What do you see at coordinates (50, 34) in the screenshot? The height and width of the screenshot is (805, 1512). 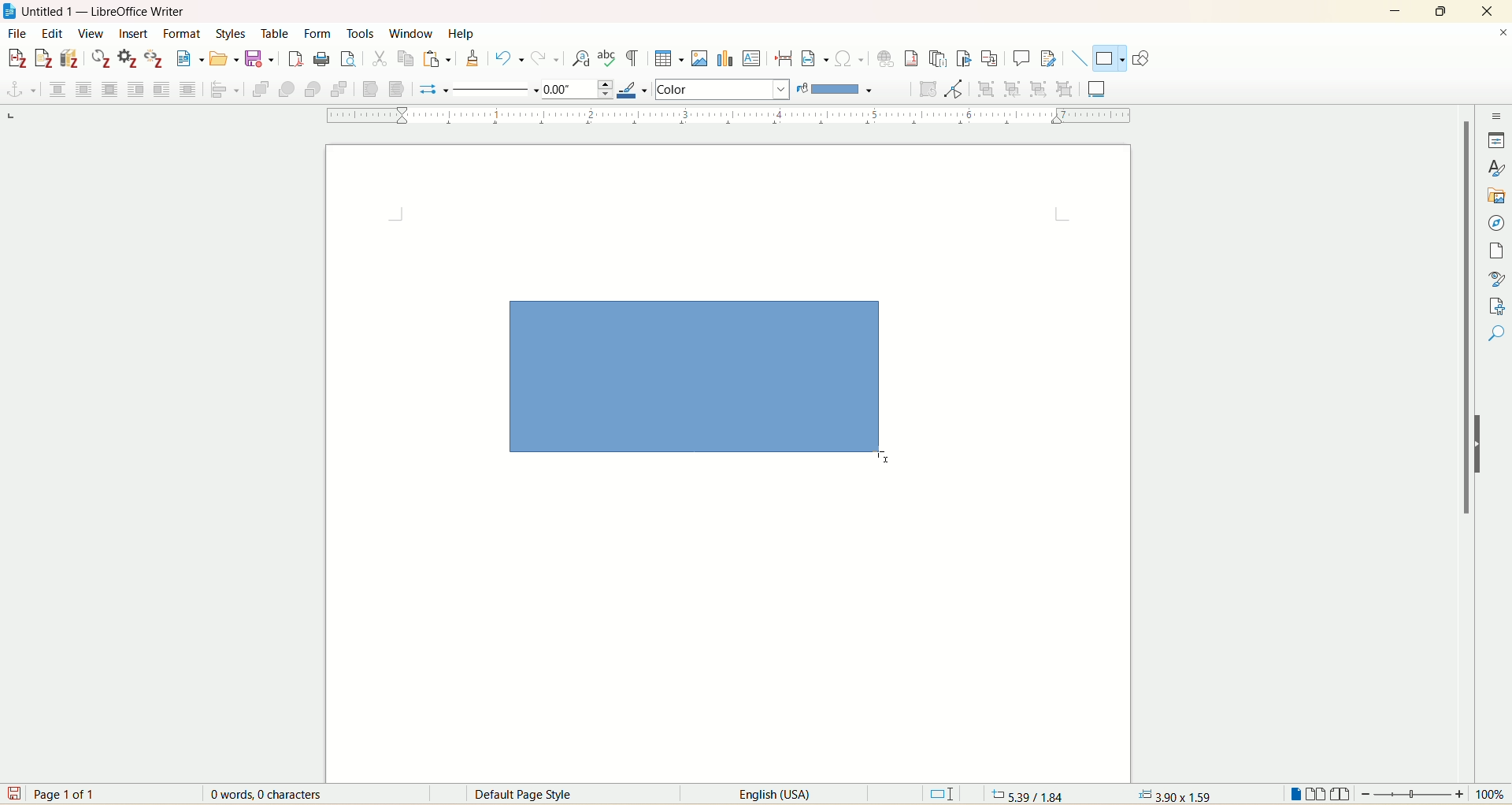 I see `edit` at bounding box center [50, 34].